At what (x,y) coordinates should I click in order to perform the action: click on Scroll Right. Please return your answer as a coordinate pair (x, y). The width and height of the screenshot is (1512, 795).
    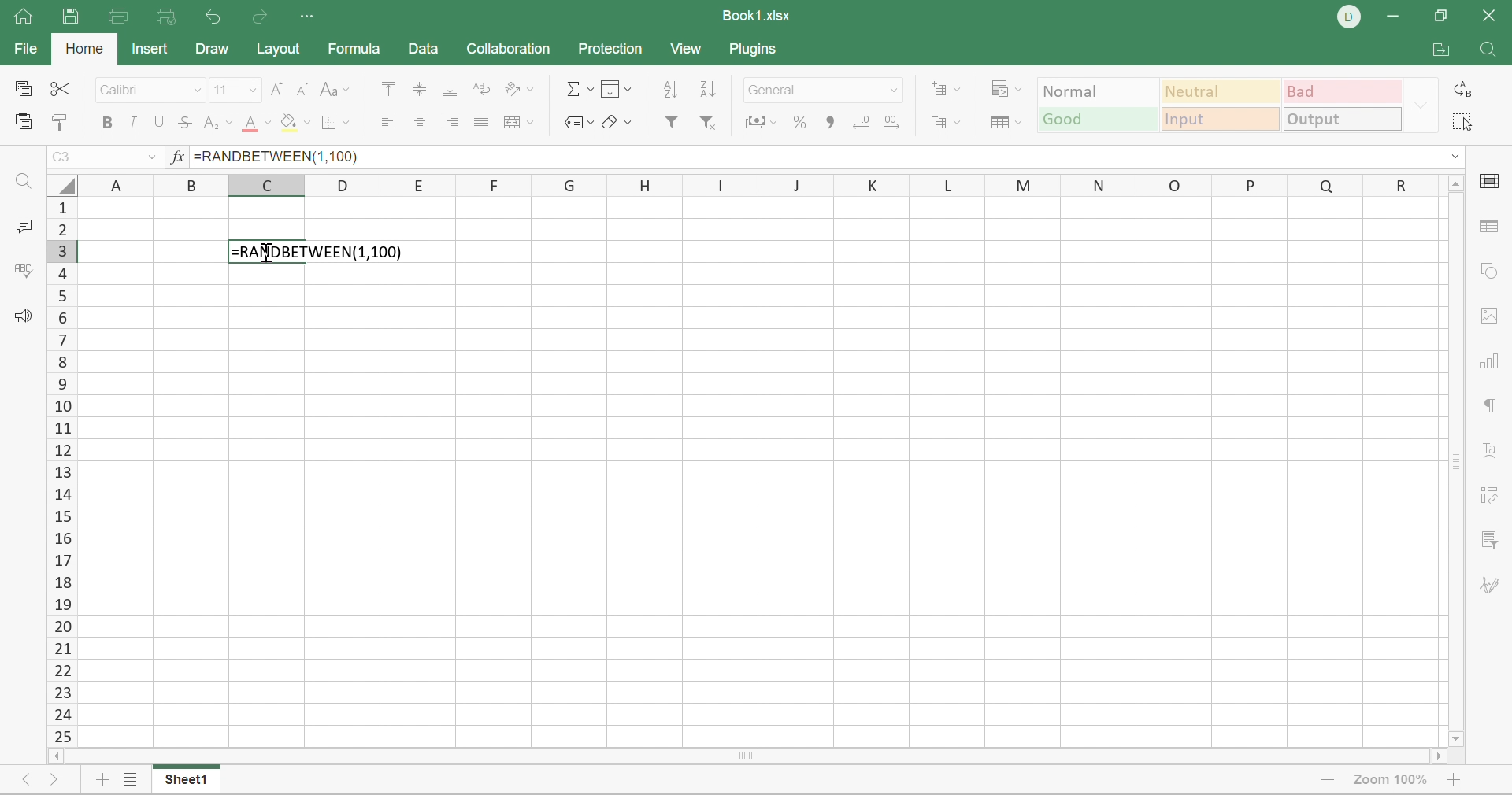
    Looking at the image, I should click on (1437, 756).